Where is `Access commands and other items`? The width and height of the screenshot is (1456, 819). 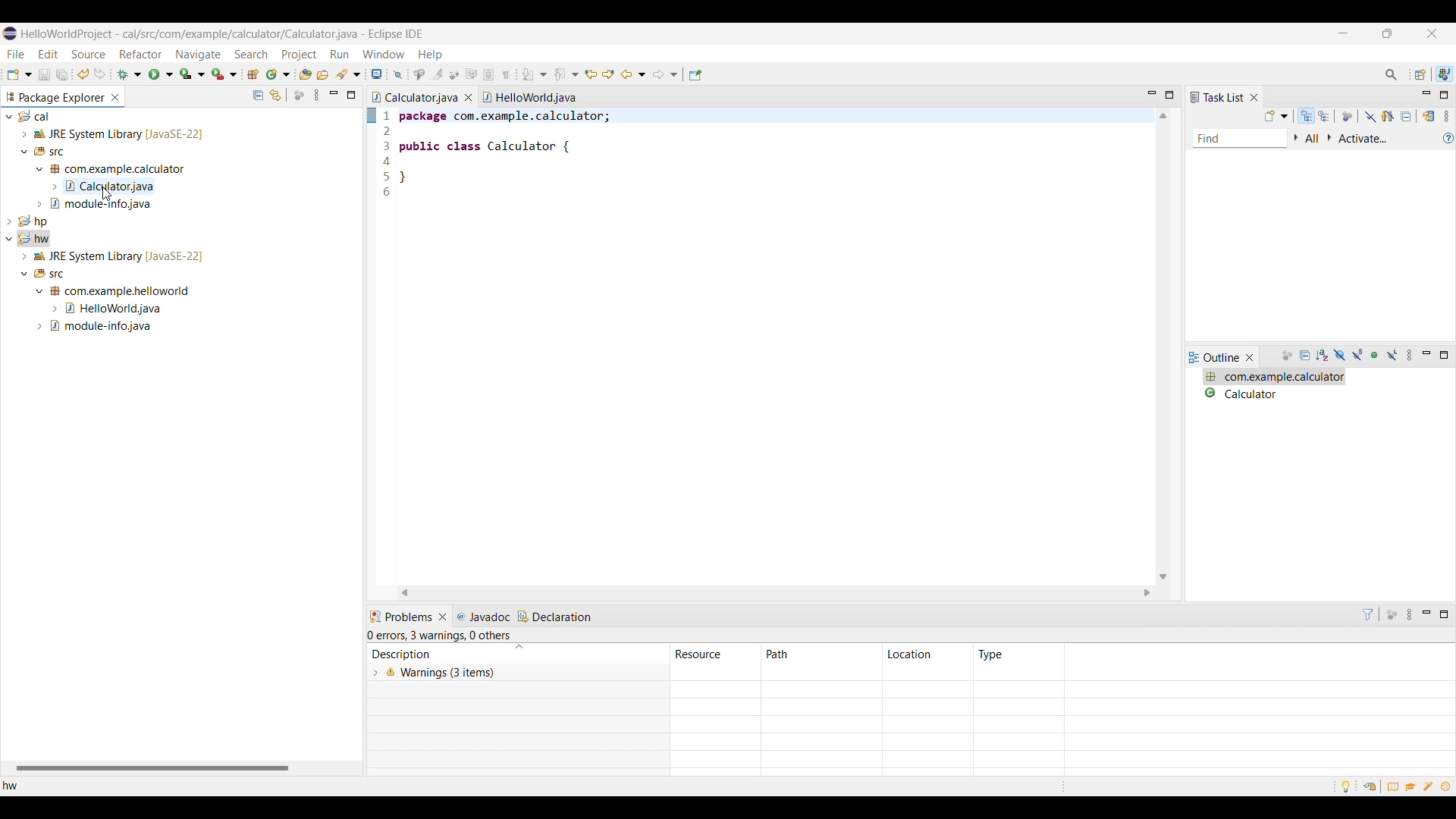
Access commands and other items is located at coordinates (1391, 74).